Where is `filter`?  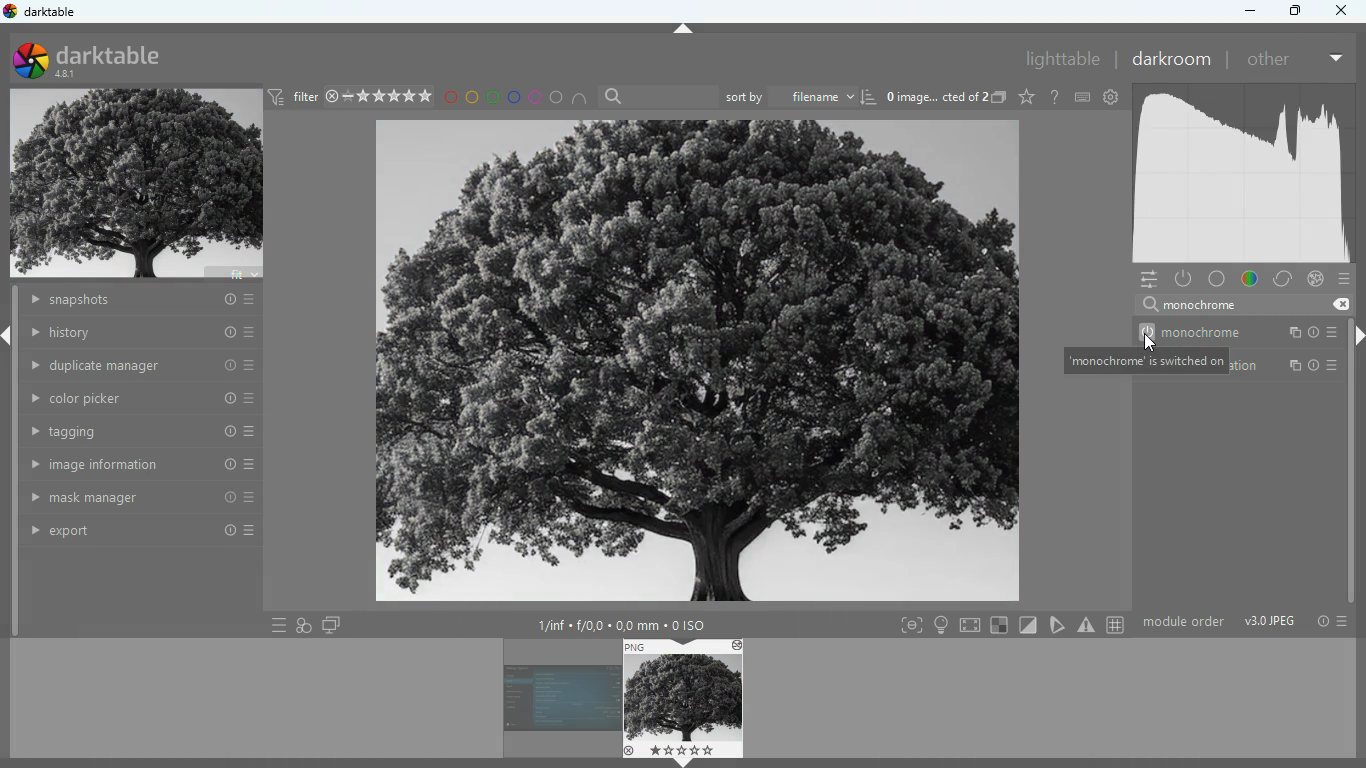 filter is located at coordinates (353, 98).